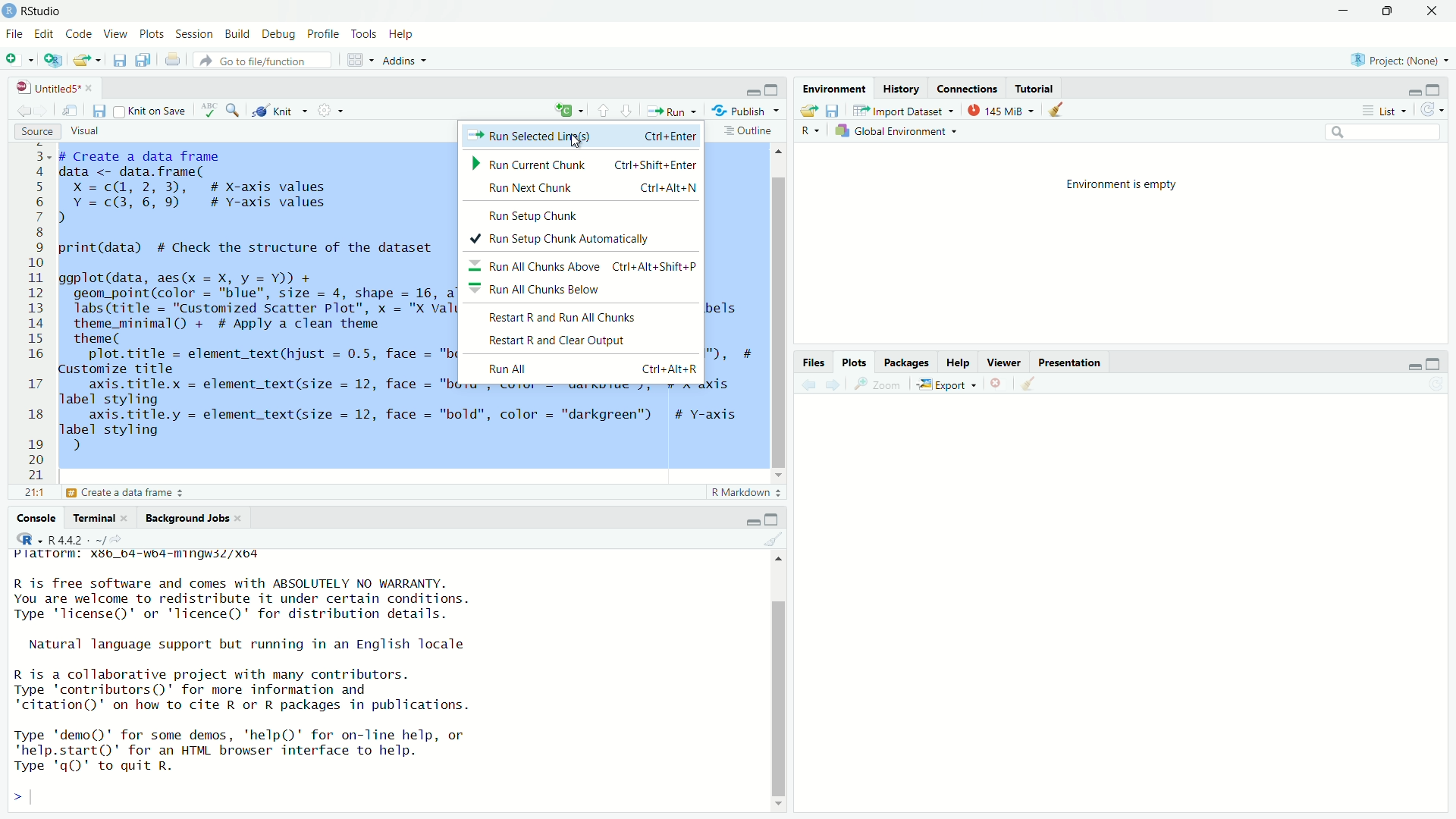 This screenshot has width=1456, height=819. I want to click on Knit on save, so click(151, 112).